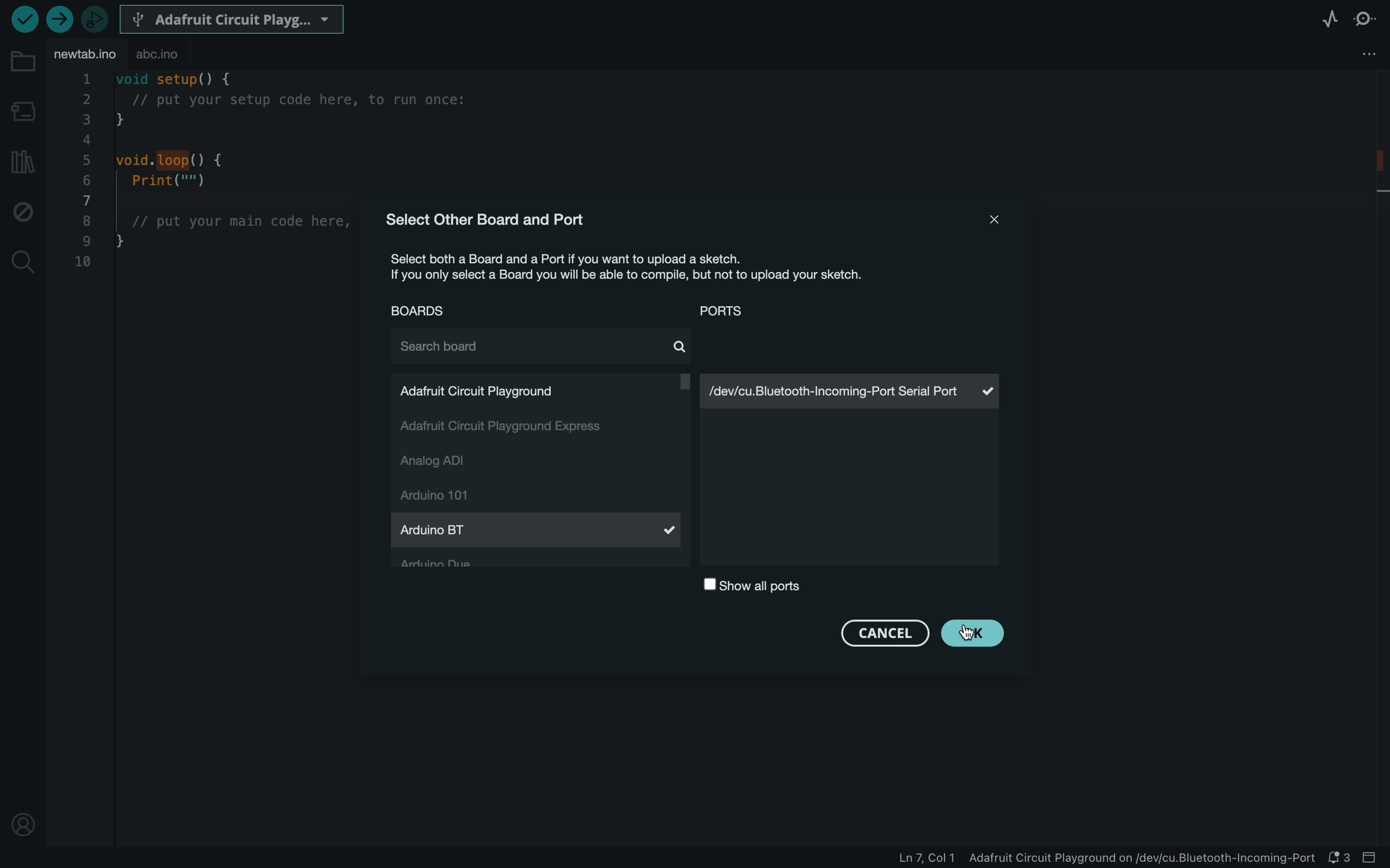 This screenshot has width=1390, height=868. Describe the element at coordinates (1079, 859) in the screenshot. I see `file information` at that location.